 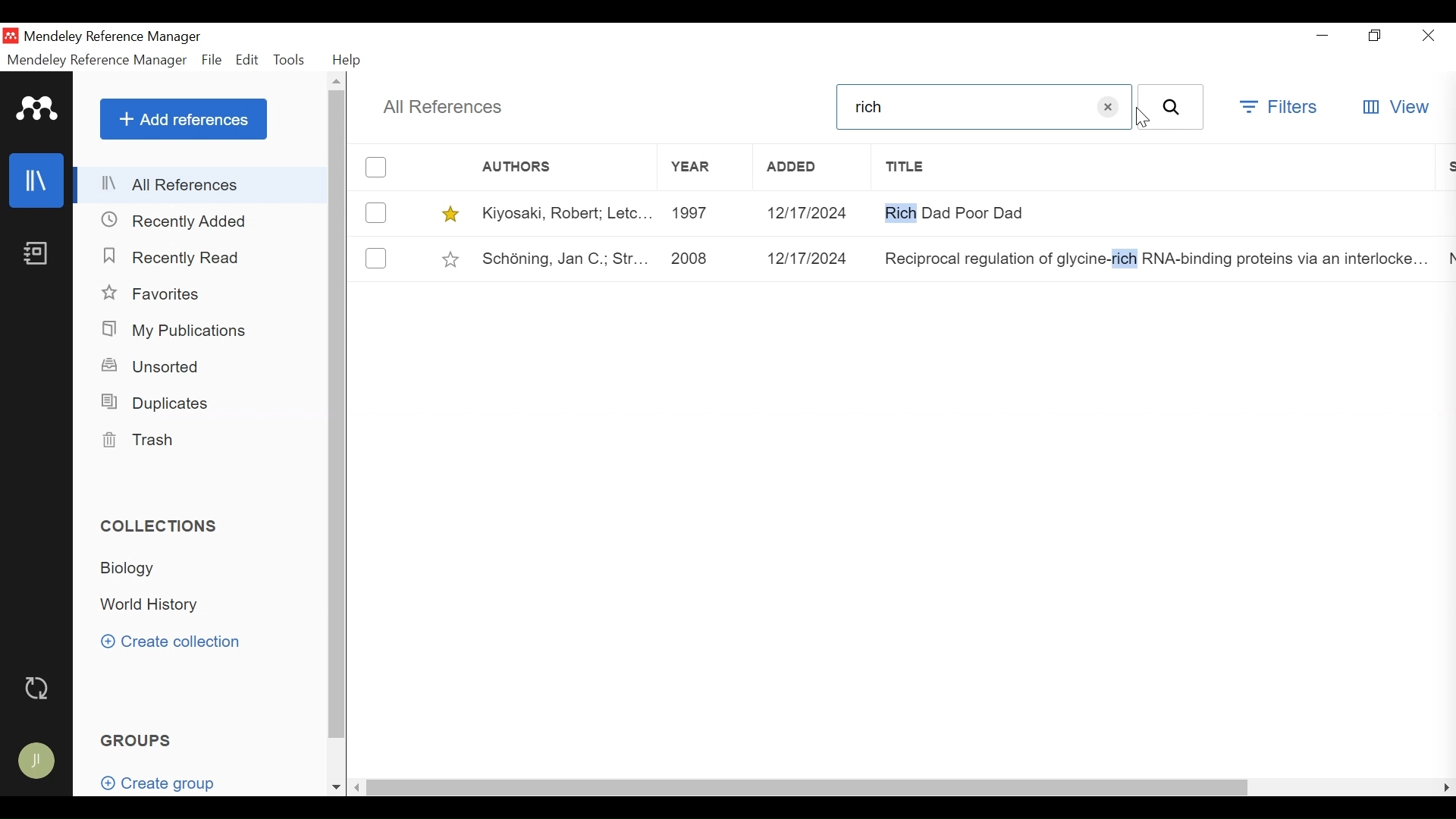 What do you see at coordinates (137, 37) in the screenshot?
I see `Mendeley Reference Manager` at bounding box center [137, 37].